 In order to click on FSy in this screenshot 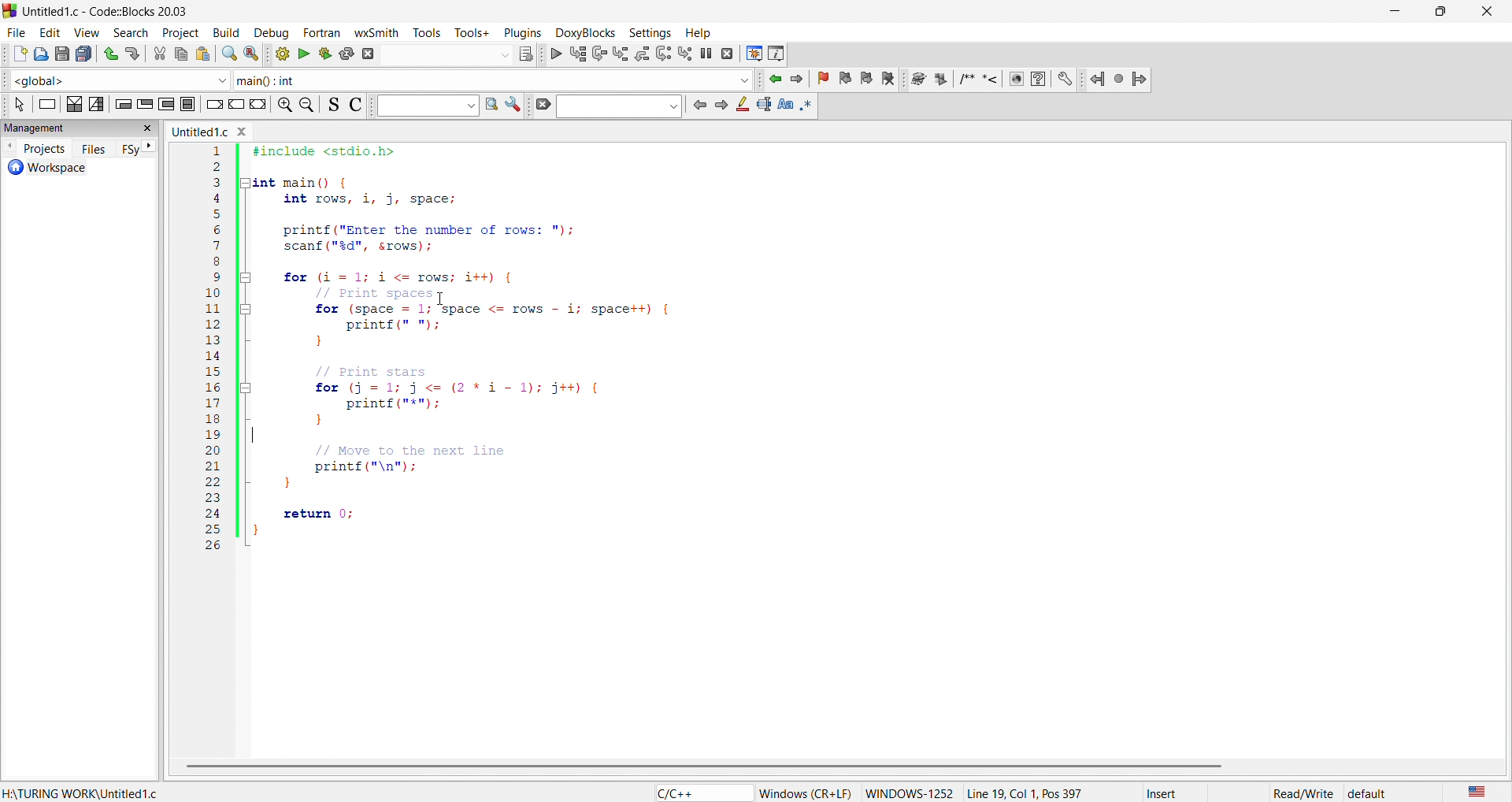, I will do `click(130, 150)`.